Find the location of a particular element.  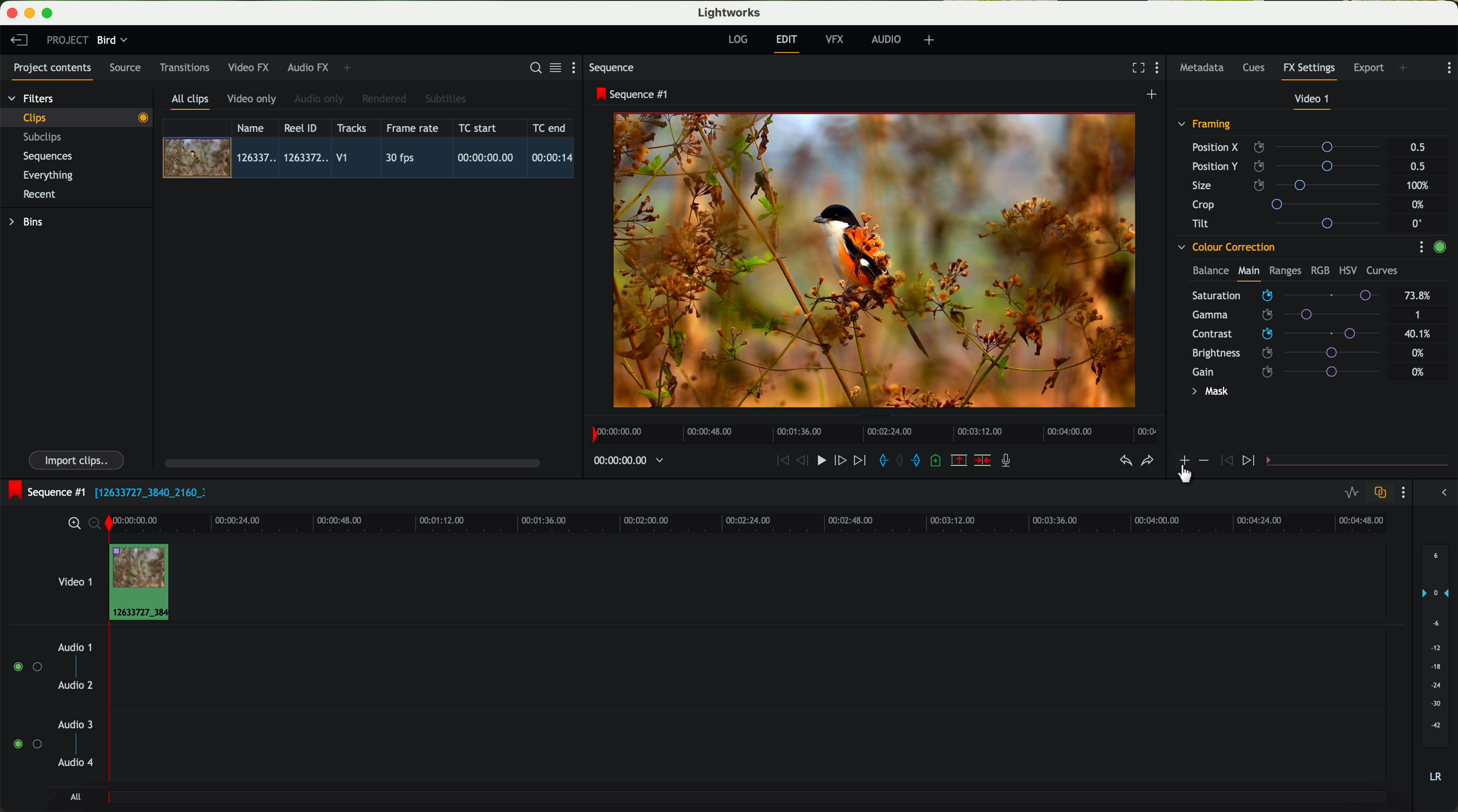

clips is located at coordinates (77, 117).